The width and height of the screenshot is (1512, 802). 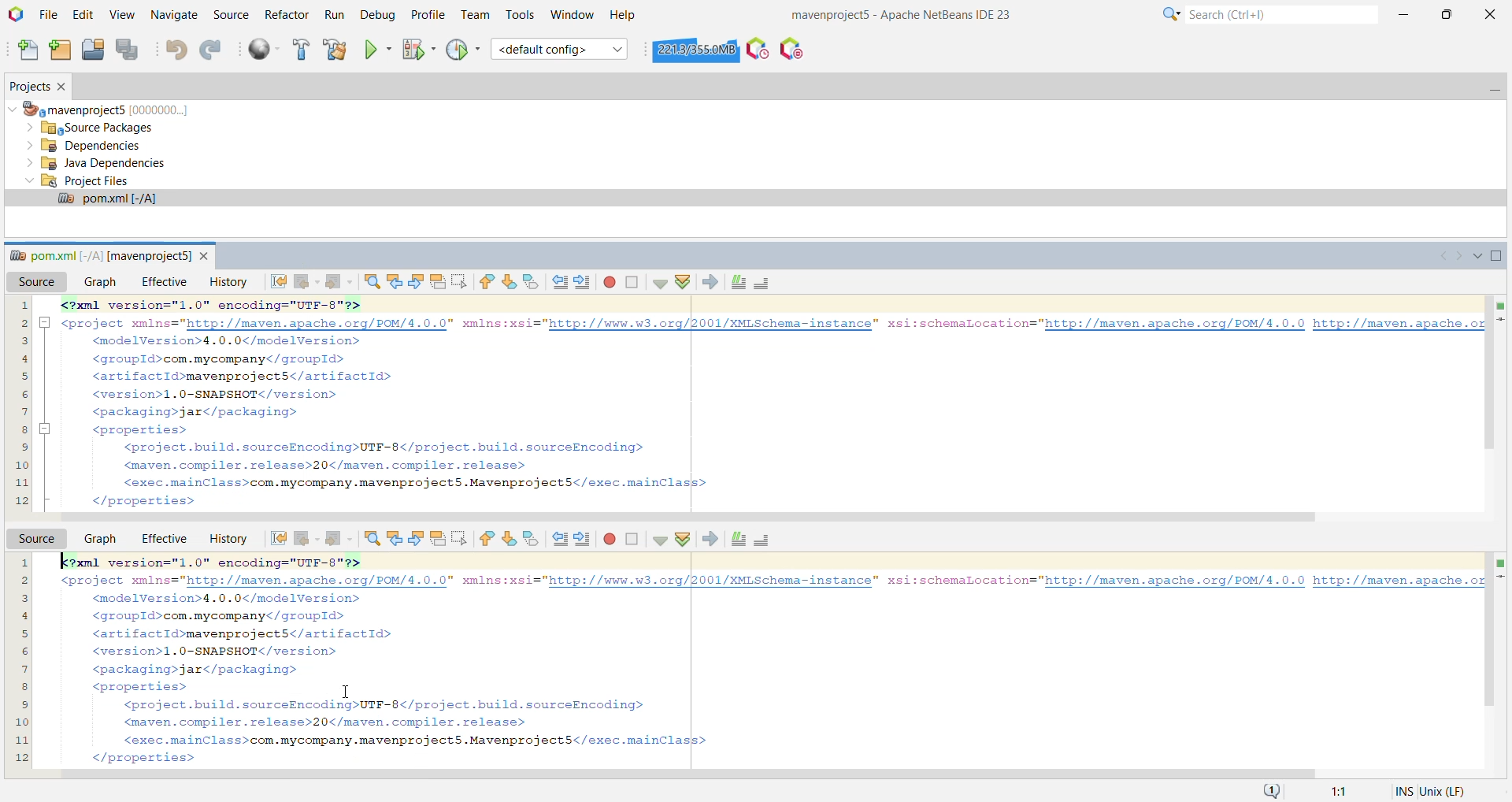 I want to click on Debug Project, so click(x=417, y=49).